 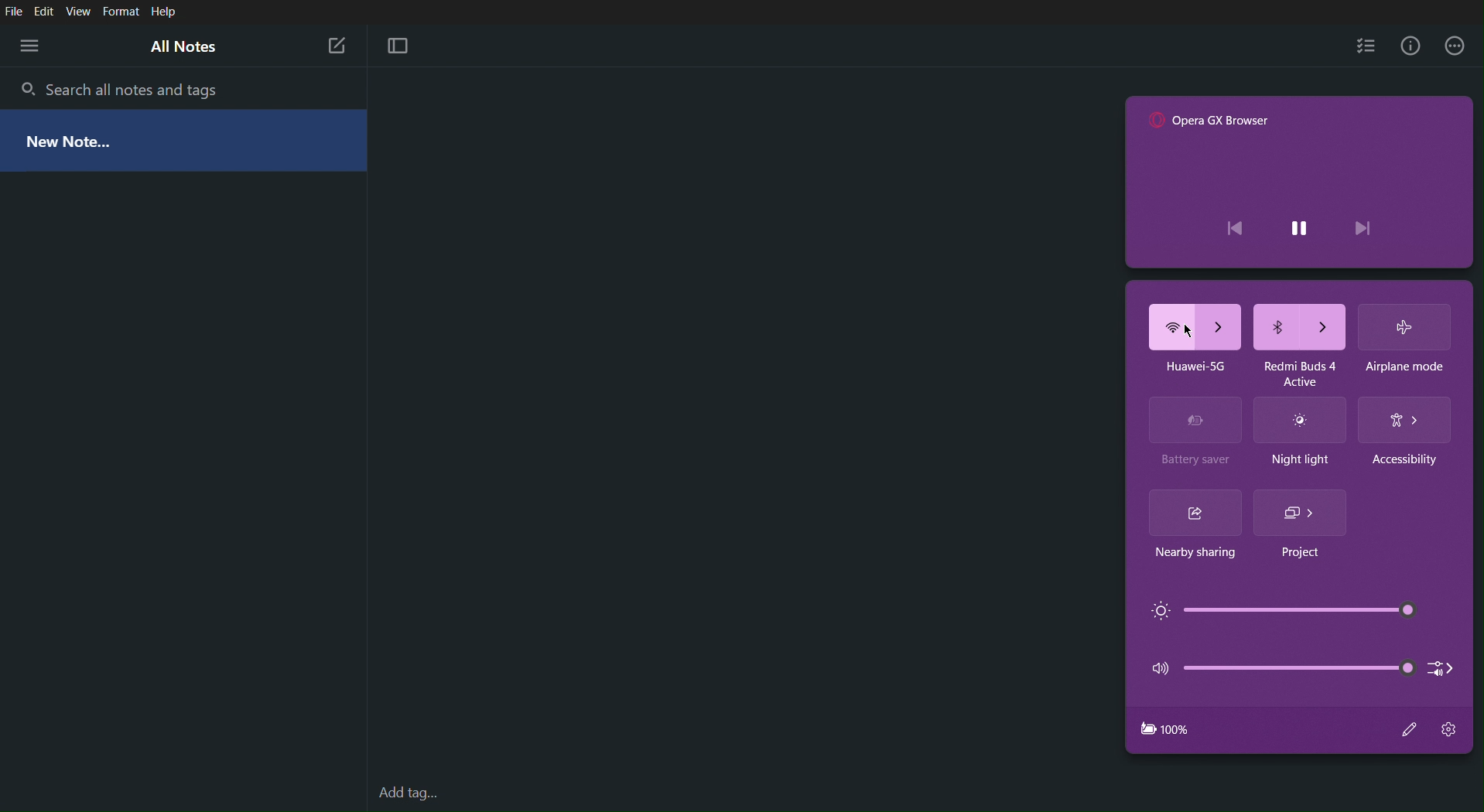 I want to click on File, so click(x=15, y=12).